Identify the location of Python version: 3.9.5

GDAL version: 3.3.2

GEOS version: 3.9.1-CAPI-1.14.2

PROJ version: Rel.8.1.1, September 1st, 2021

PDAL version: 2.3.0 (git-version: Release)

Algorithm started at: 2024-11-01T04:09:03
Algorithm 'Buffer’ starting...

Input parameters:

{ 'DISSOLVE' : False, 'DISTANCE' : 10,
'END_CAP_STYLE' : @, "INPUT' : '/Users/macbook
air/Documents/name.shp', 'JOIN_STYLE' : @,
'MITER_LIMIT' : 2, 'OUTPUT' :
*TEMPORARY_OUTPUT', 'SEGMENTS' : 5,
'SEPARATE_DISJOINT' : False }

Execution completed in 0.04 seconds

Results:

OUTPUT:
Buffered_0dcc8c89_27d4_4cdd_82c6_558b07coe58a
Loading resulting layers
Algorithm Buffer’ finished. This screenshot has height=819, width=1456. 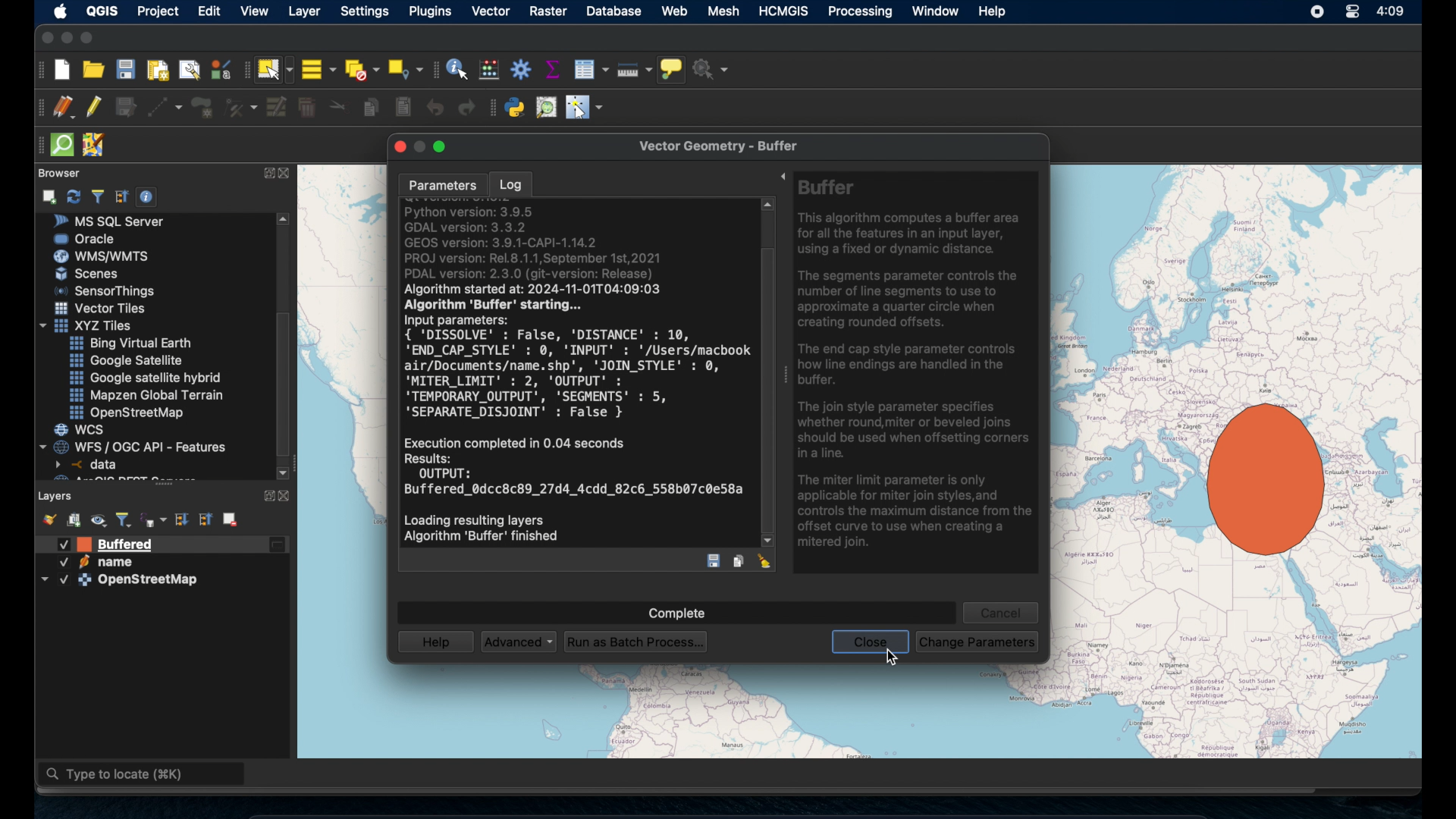
(573, 378).